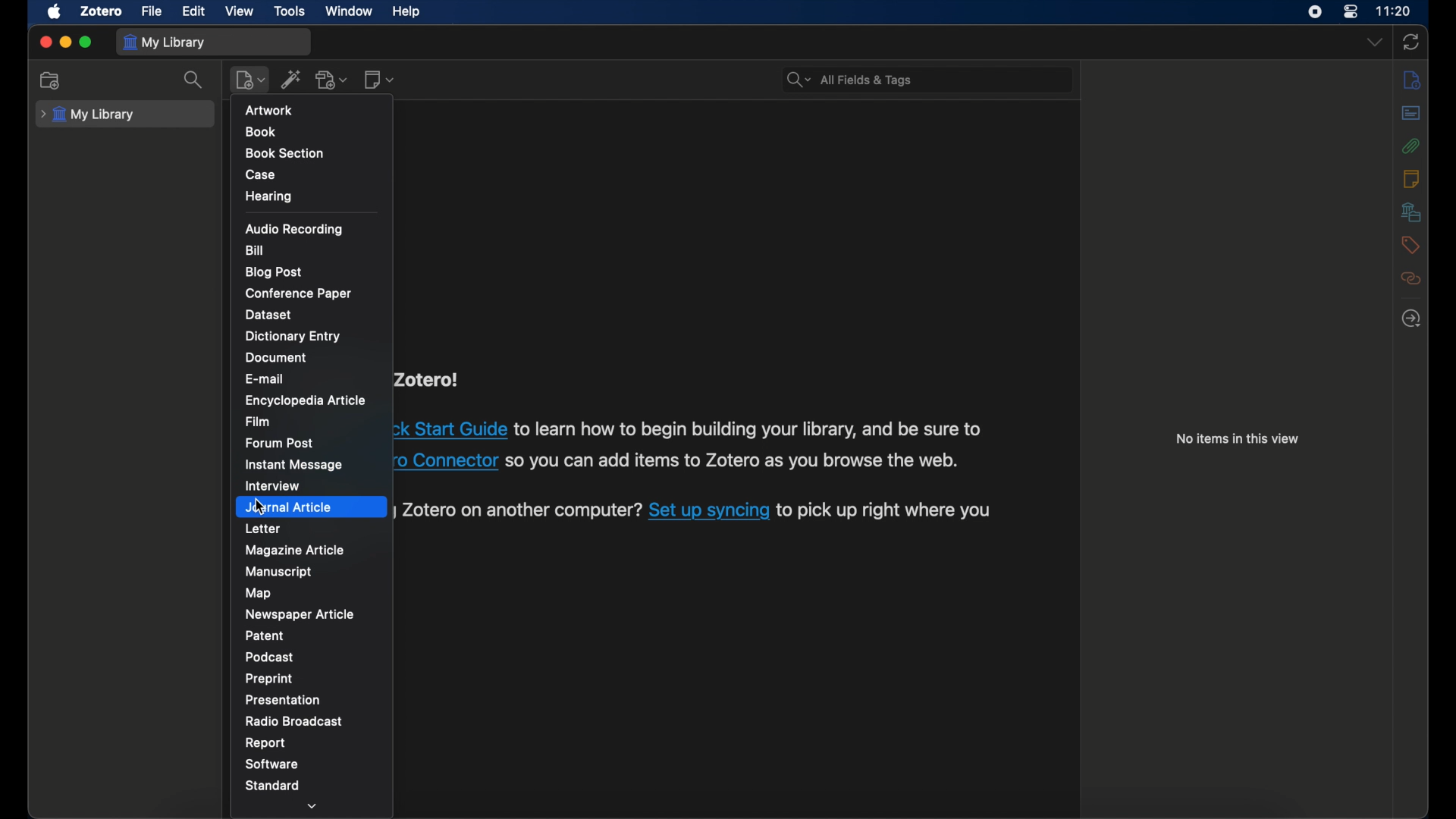 This screenshot has height=819, width=1456. I want to click on software, so click(271, 763).